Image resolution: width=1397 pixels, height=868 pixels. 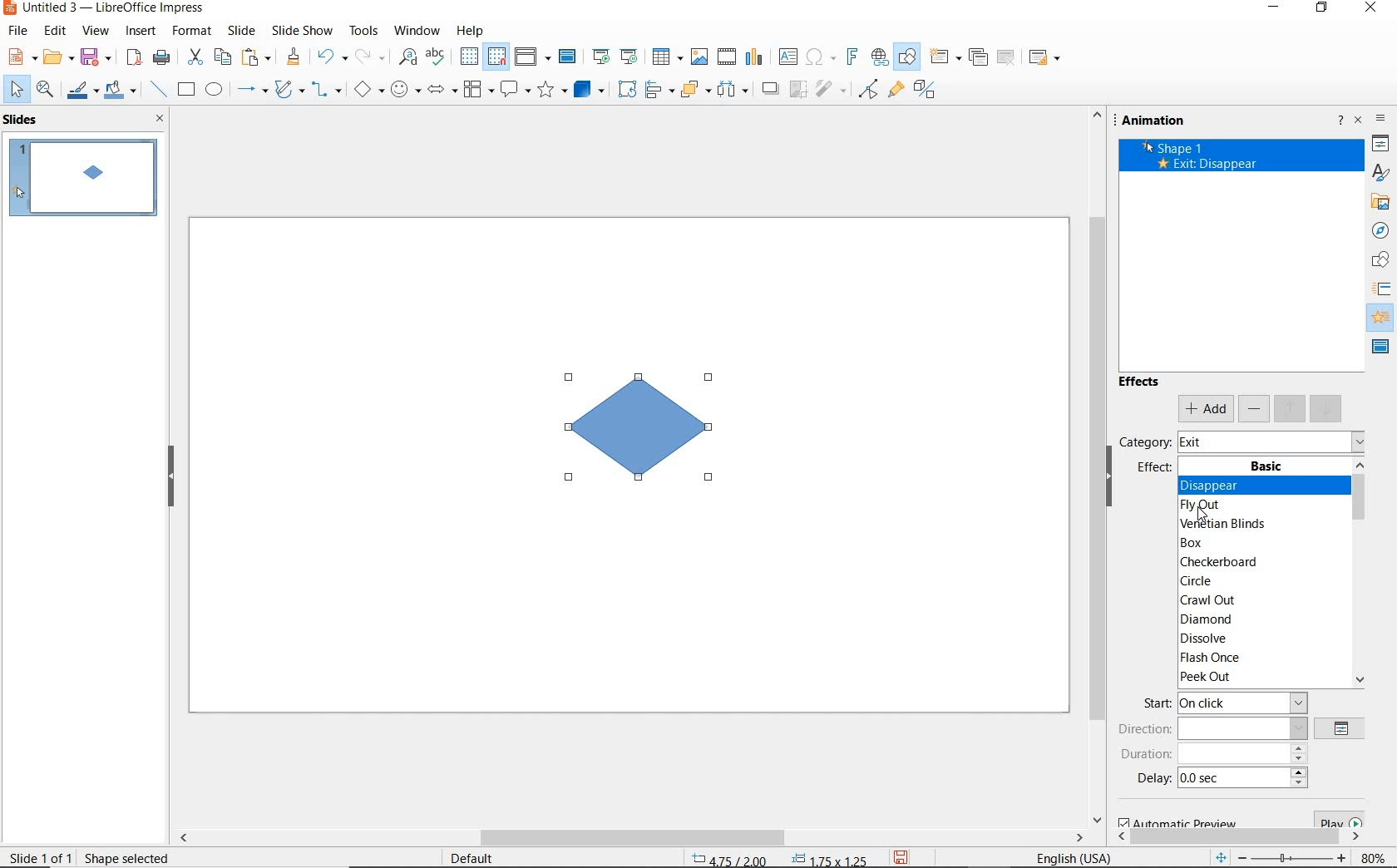 What do you see at coordinates (669, 57) in the screenshot?
I see `table` at bounding box center [669, 57].